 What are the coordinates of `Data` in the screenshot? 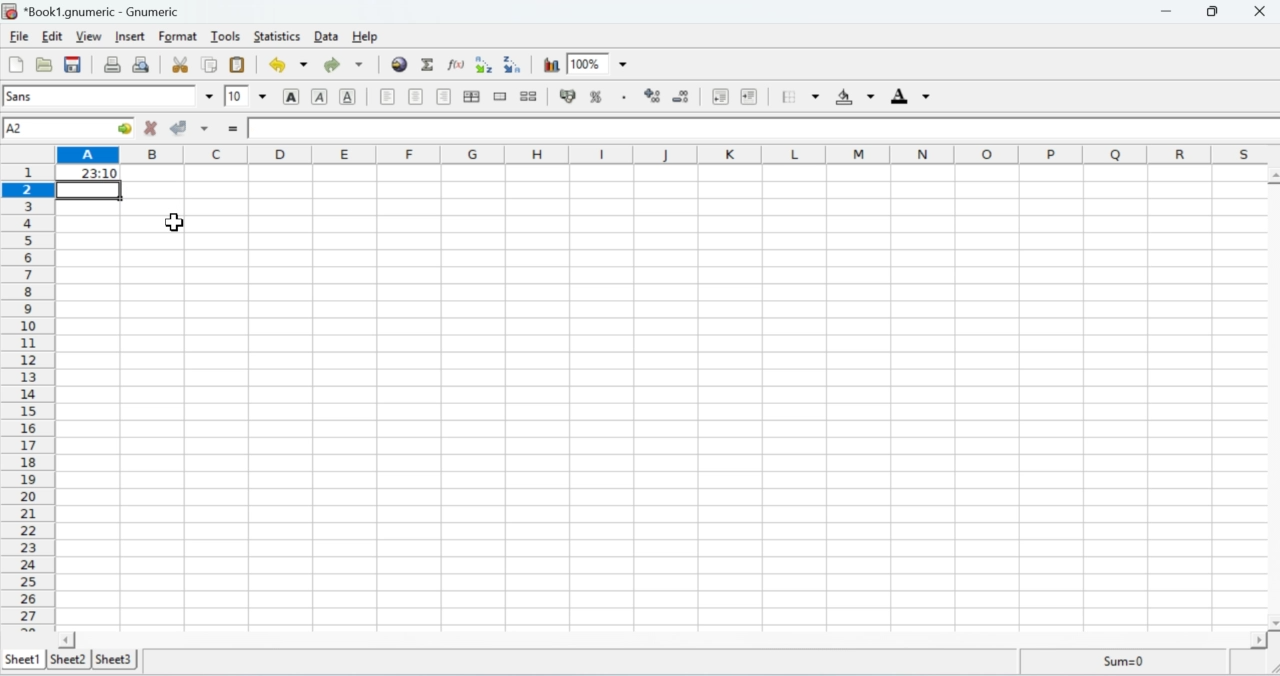 It's located at (327, 36).